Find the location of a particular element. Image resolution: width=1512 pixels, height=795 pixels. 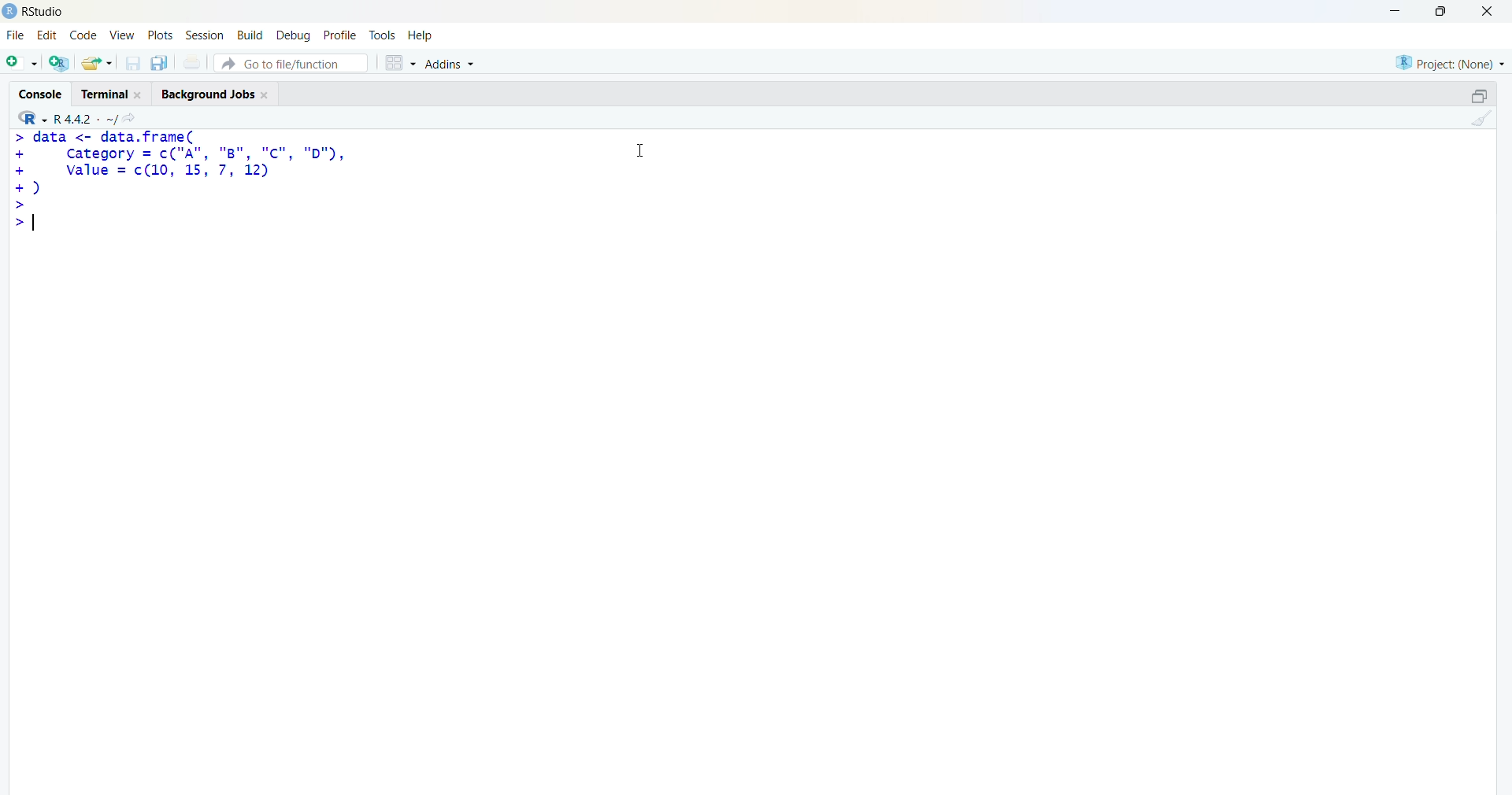

R language is located at coordinates (34, 118).